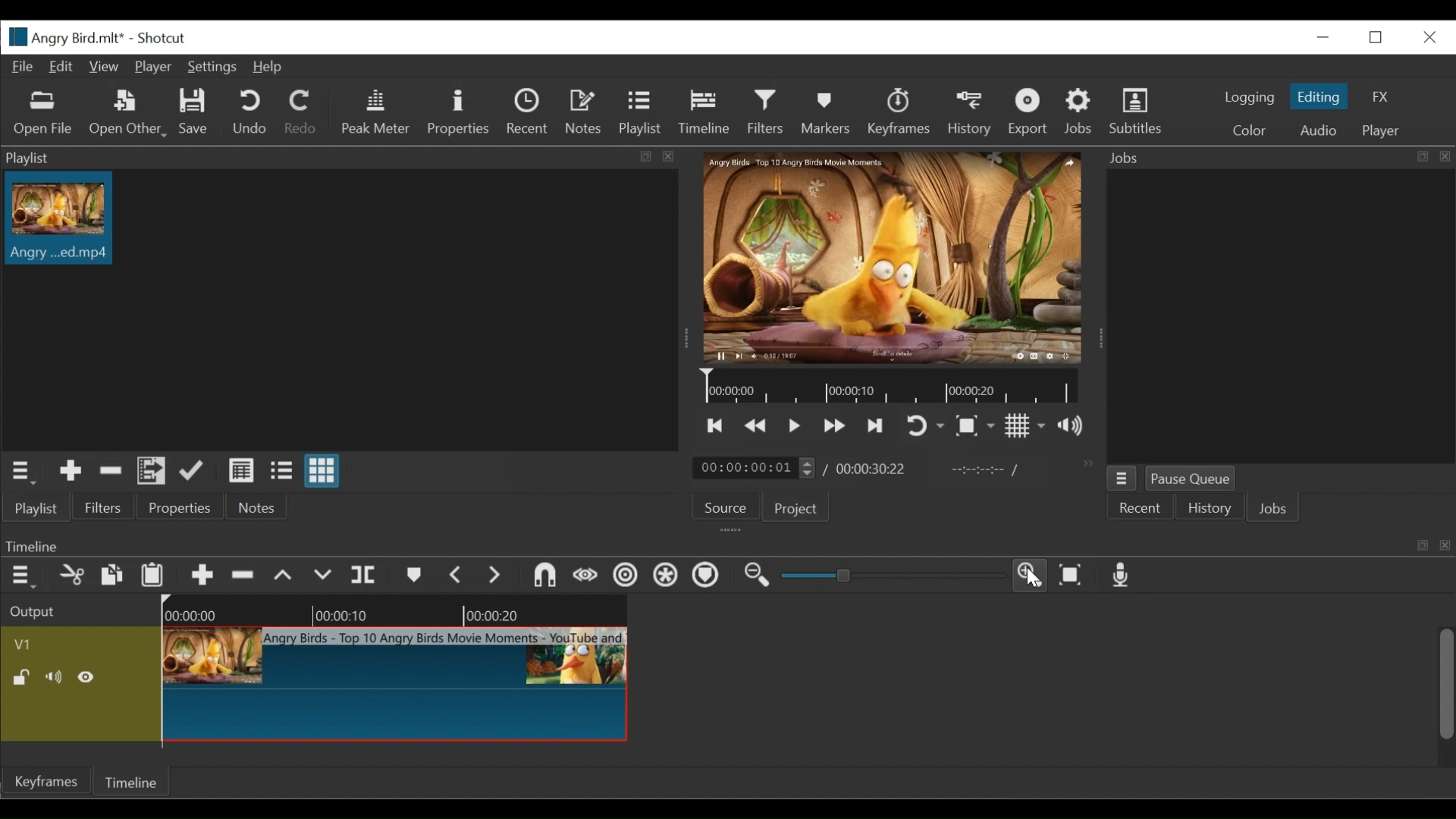  What do you see at coordinates (527, 113) in the screenshot?
I see `Recent` at bounding box center [527, 113].